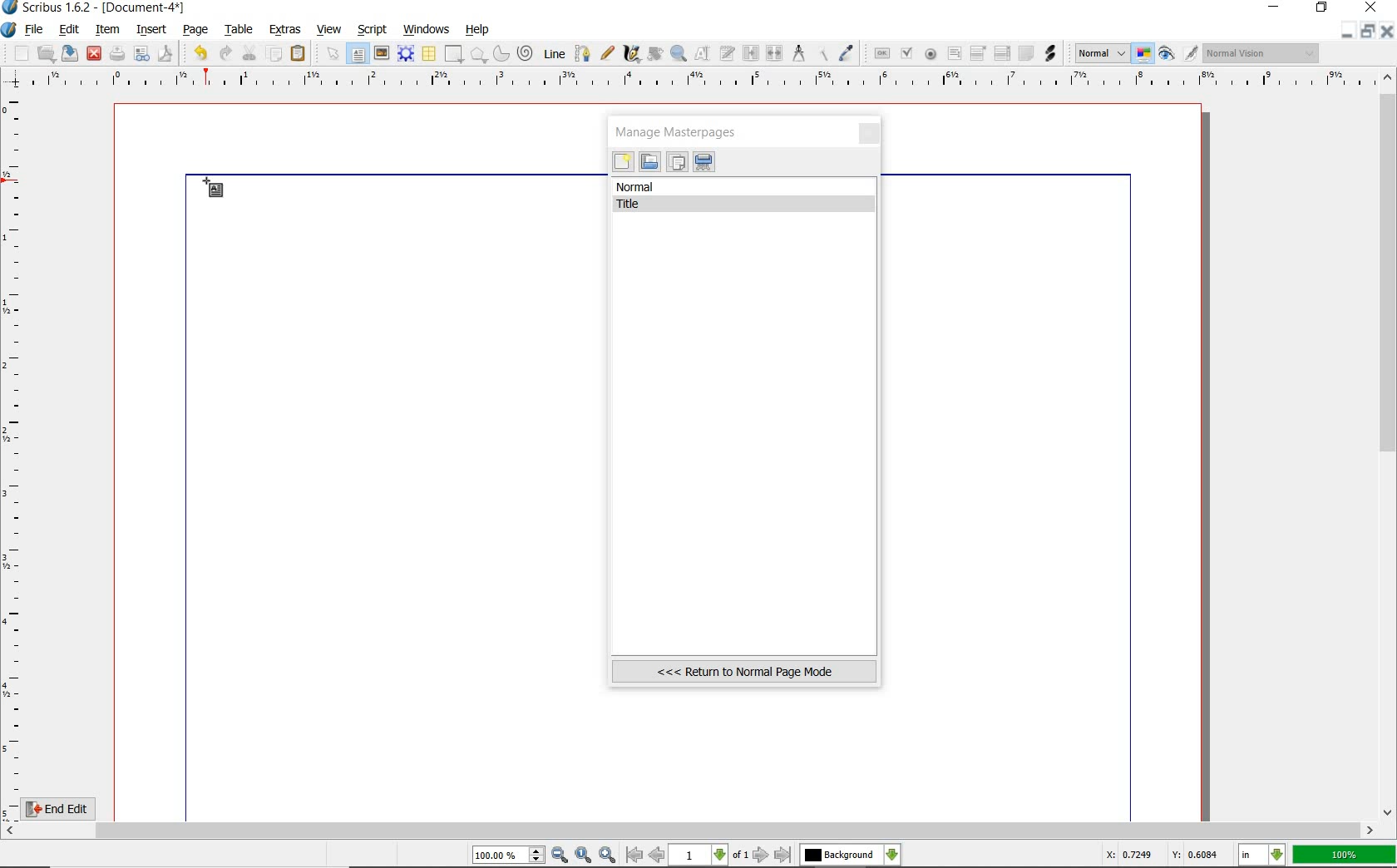 The width and height of the screenshot is (1397, 868). I want to click on End Edit, so click(71, 808).